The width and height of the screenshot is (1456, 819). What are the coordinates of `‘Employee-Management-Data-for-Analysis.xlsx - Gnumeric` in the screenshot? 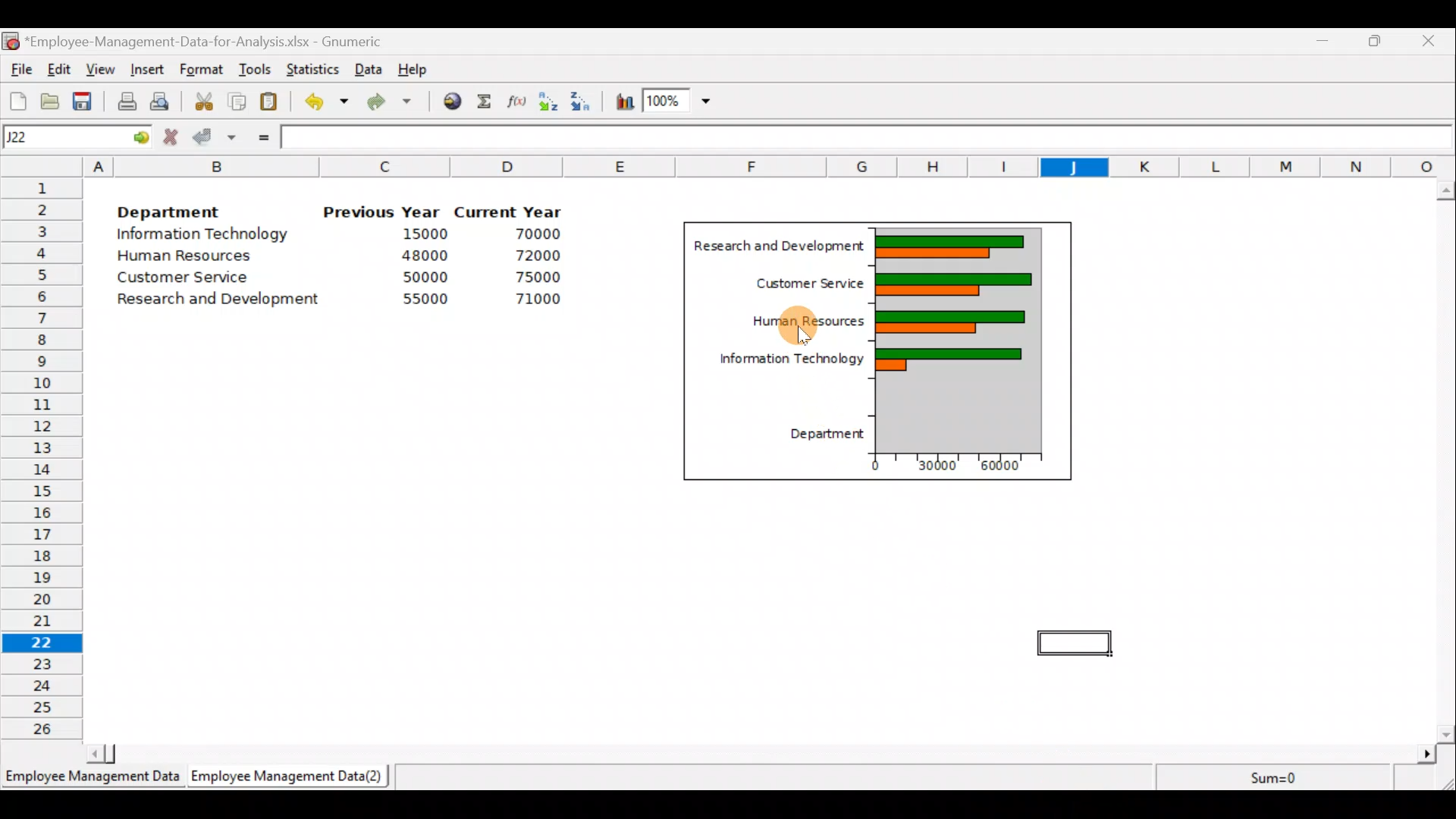 It's located at (219, 42).